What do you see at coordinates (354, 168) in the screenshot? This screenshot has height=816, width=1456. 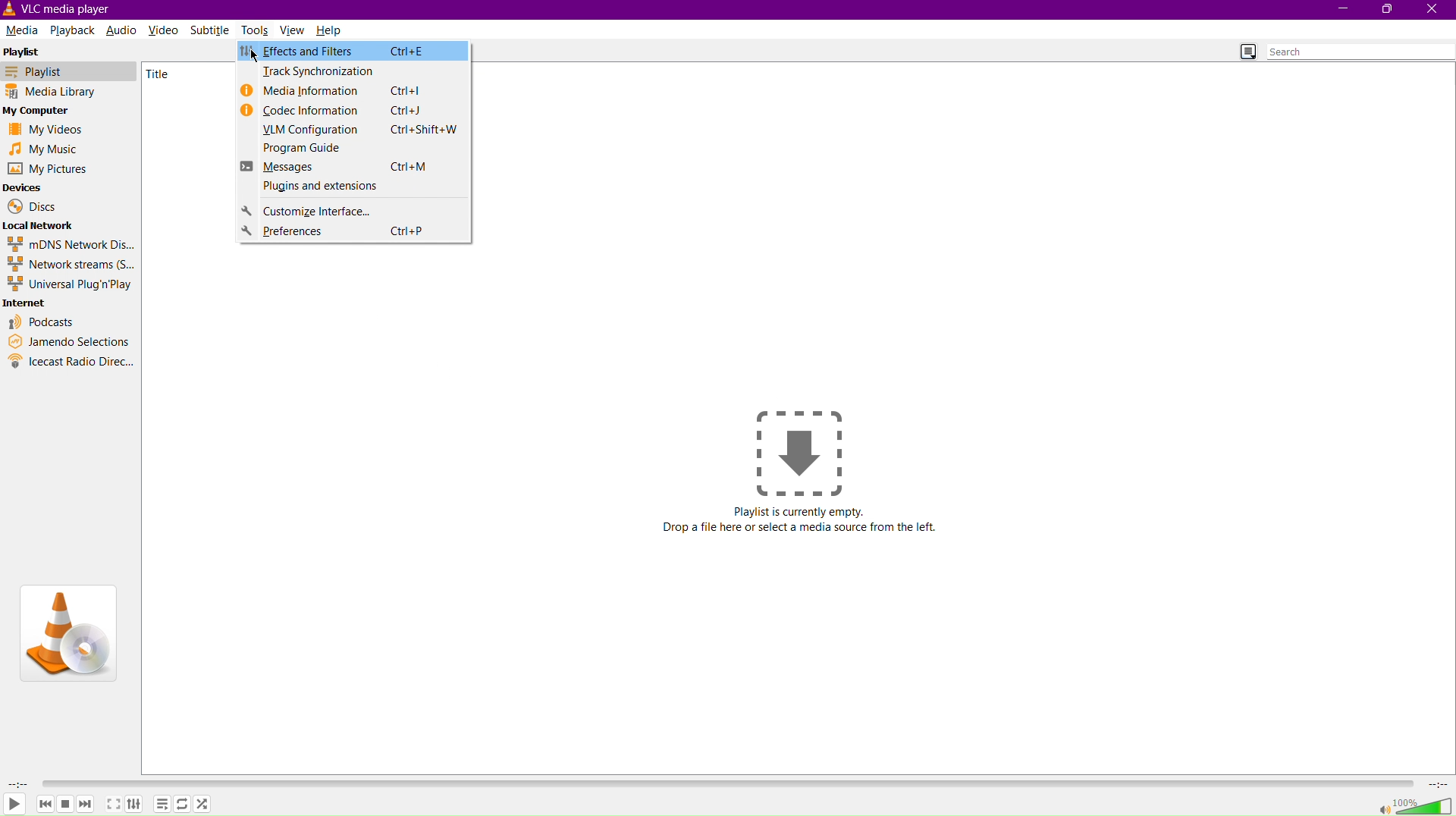 I see `Messages Ctrl + M` at bounding box center [354, 168].